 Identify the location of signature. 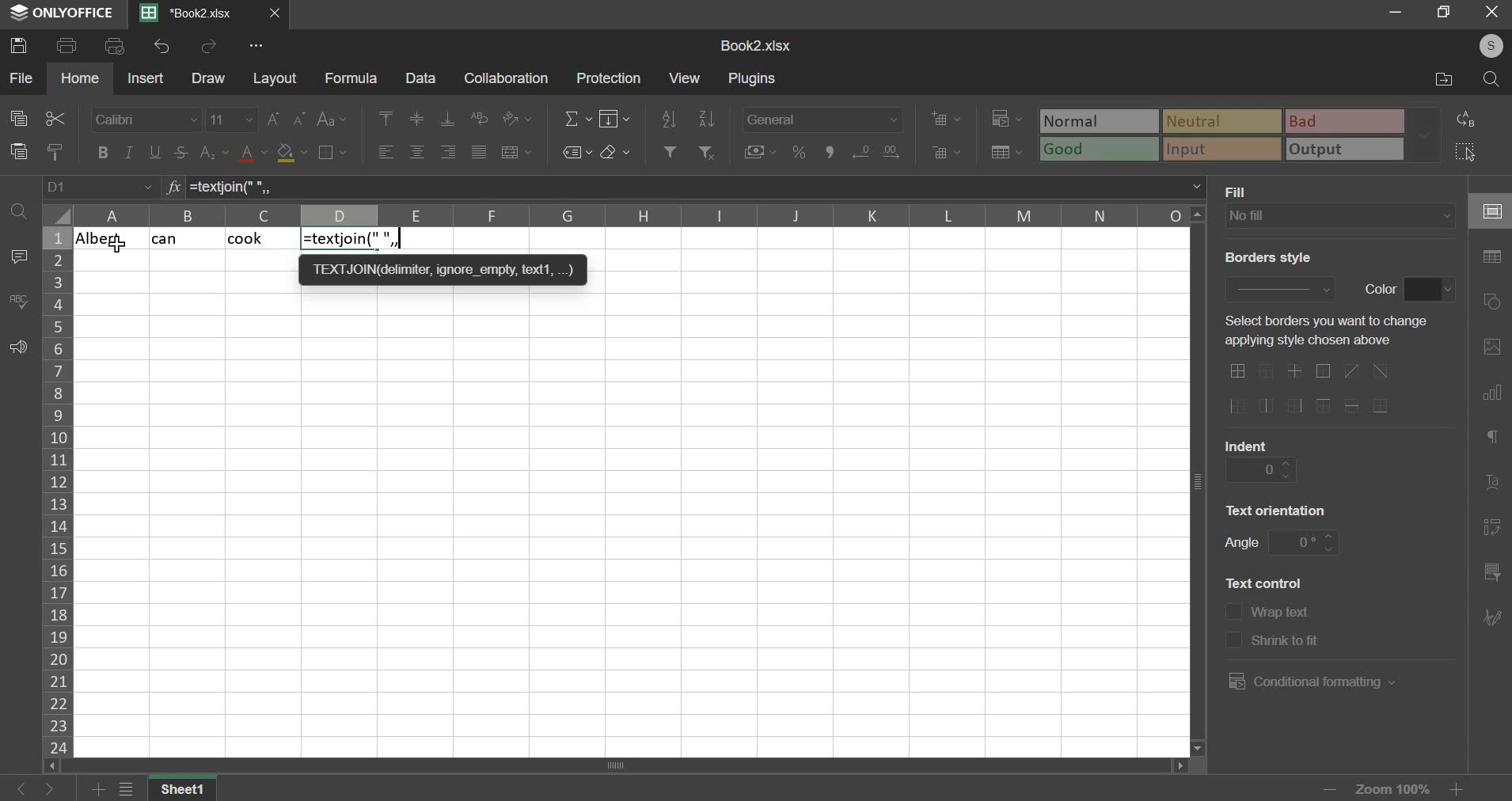
(1491, 617).